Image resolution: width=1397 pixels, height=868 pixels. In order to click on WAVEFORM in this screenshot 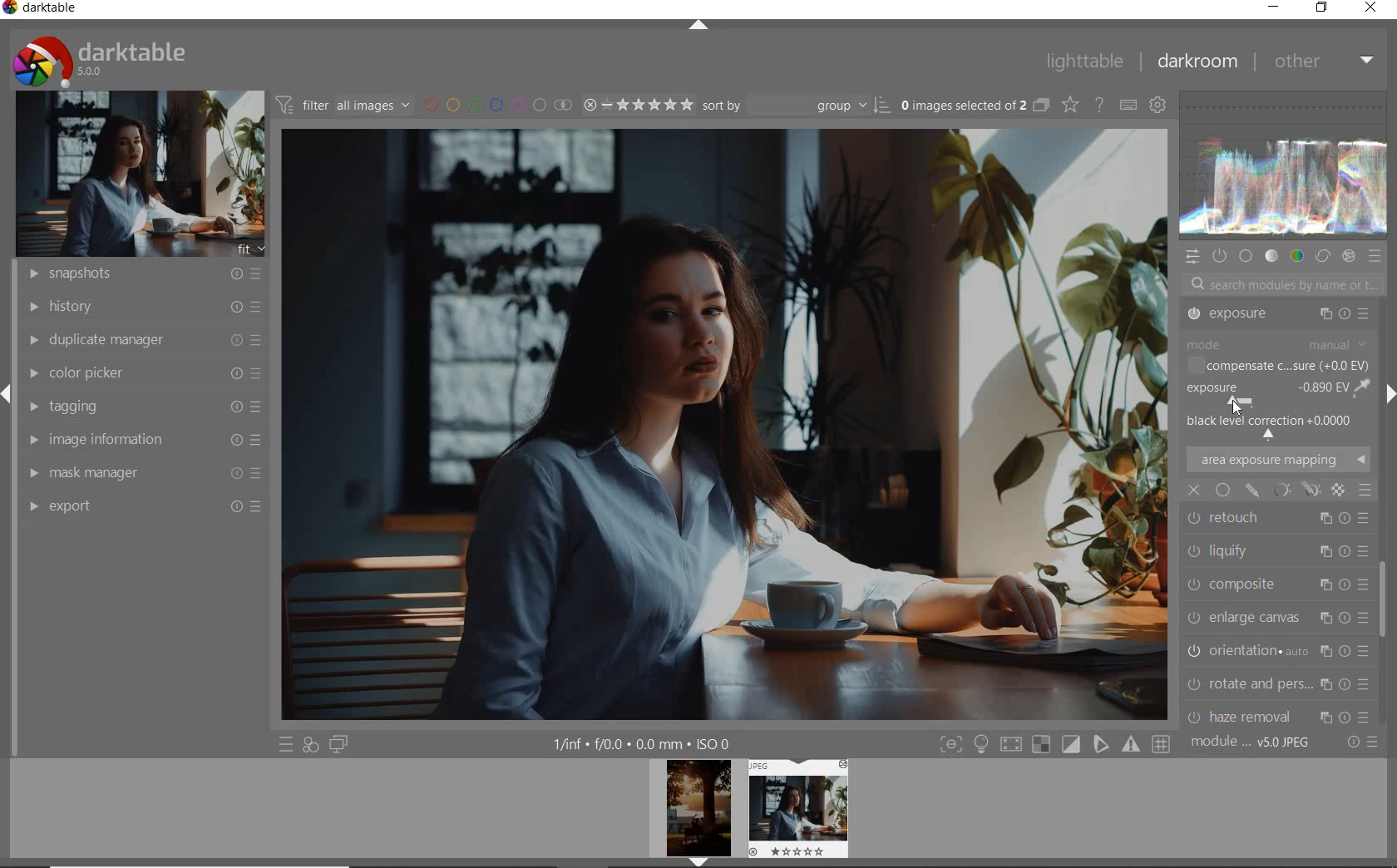, I will do `click(1285, 165)`.